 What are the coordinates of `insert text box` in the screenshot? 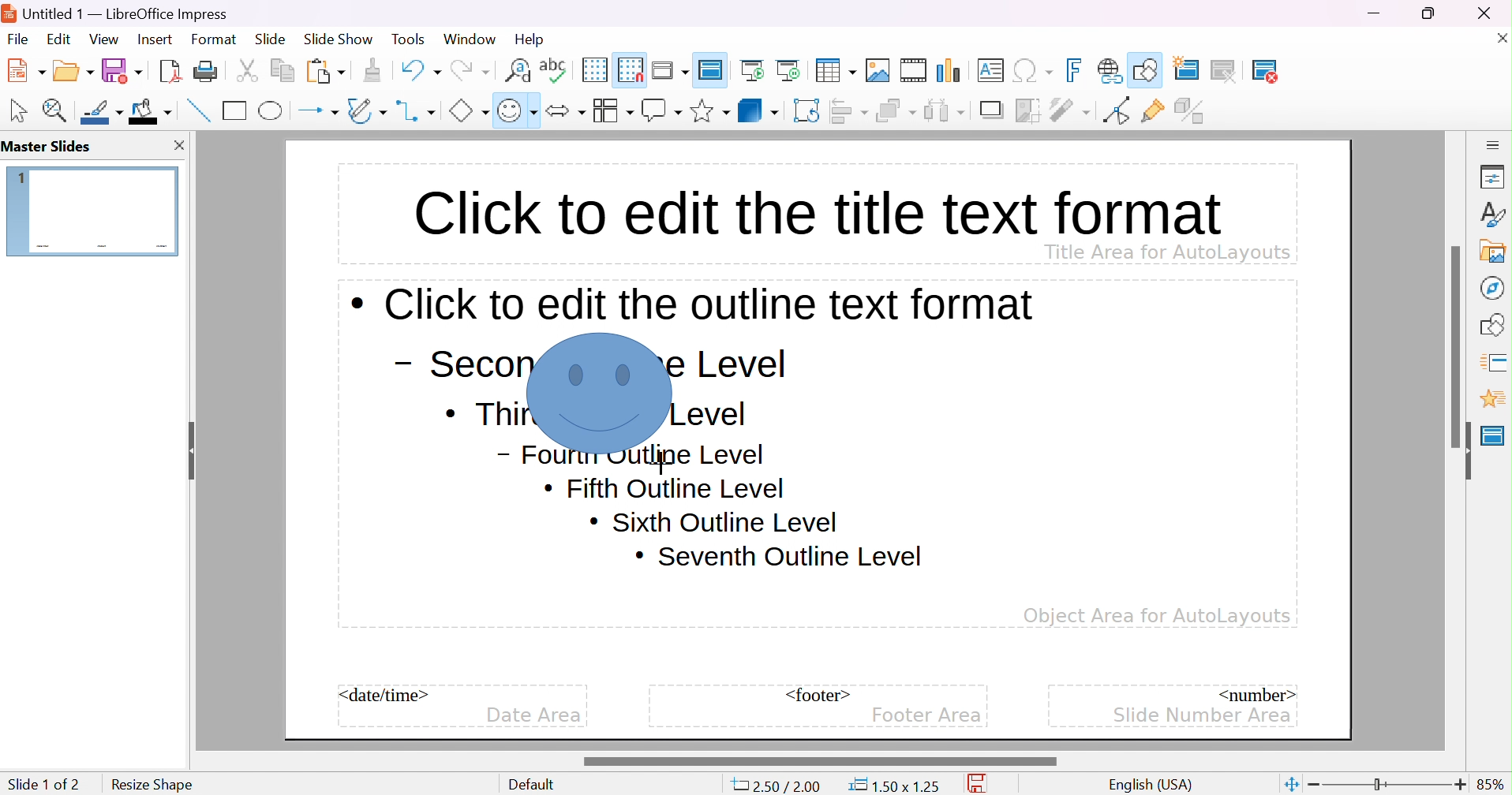 It's located at (990, 69).